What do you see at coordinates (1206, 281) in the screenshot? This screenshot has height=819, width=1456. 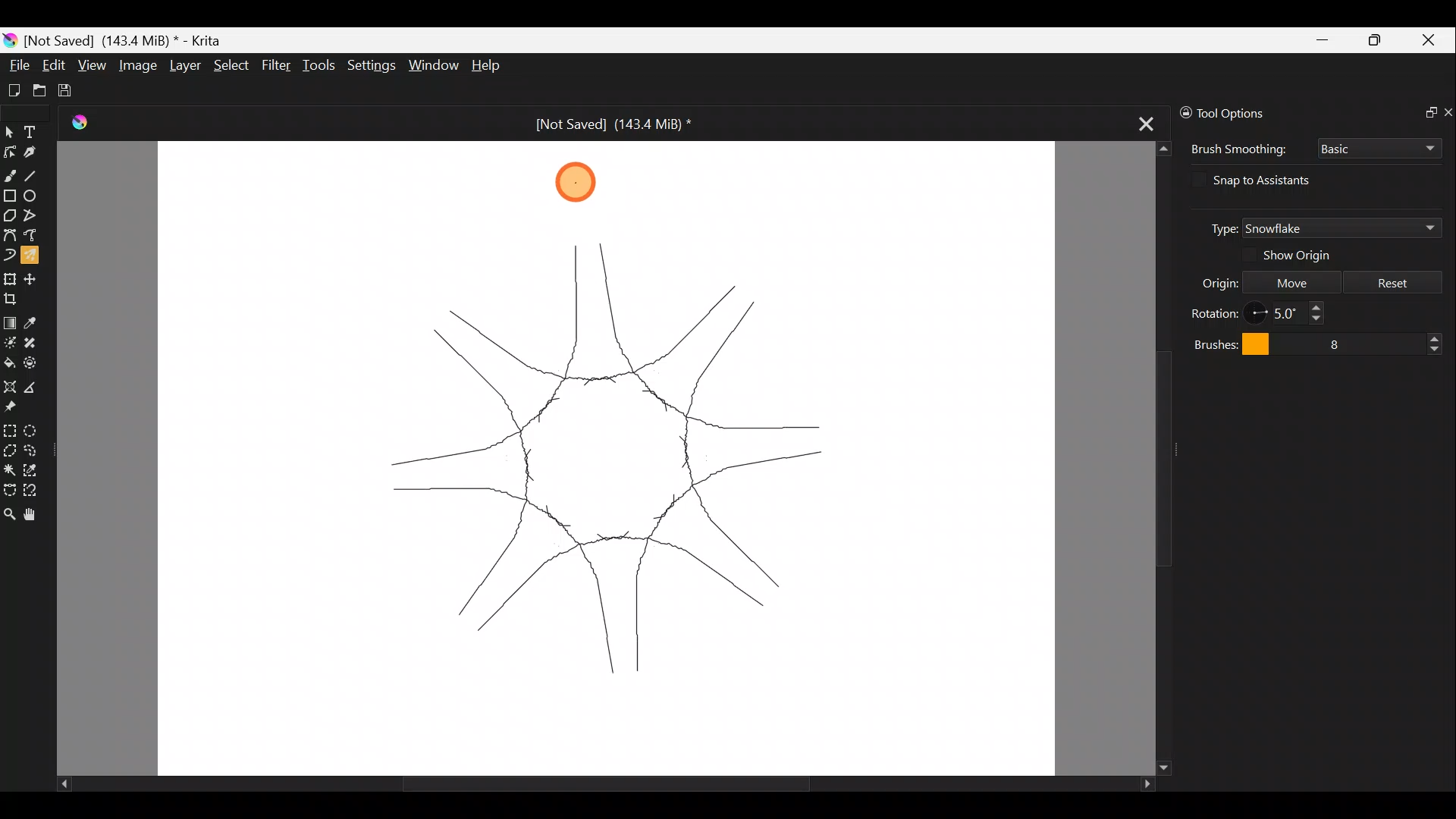 I see `Origin` at bounding box center [1206, 281].